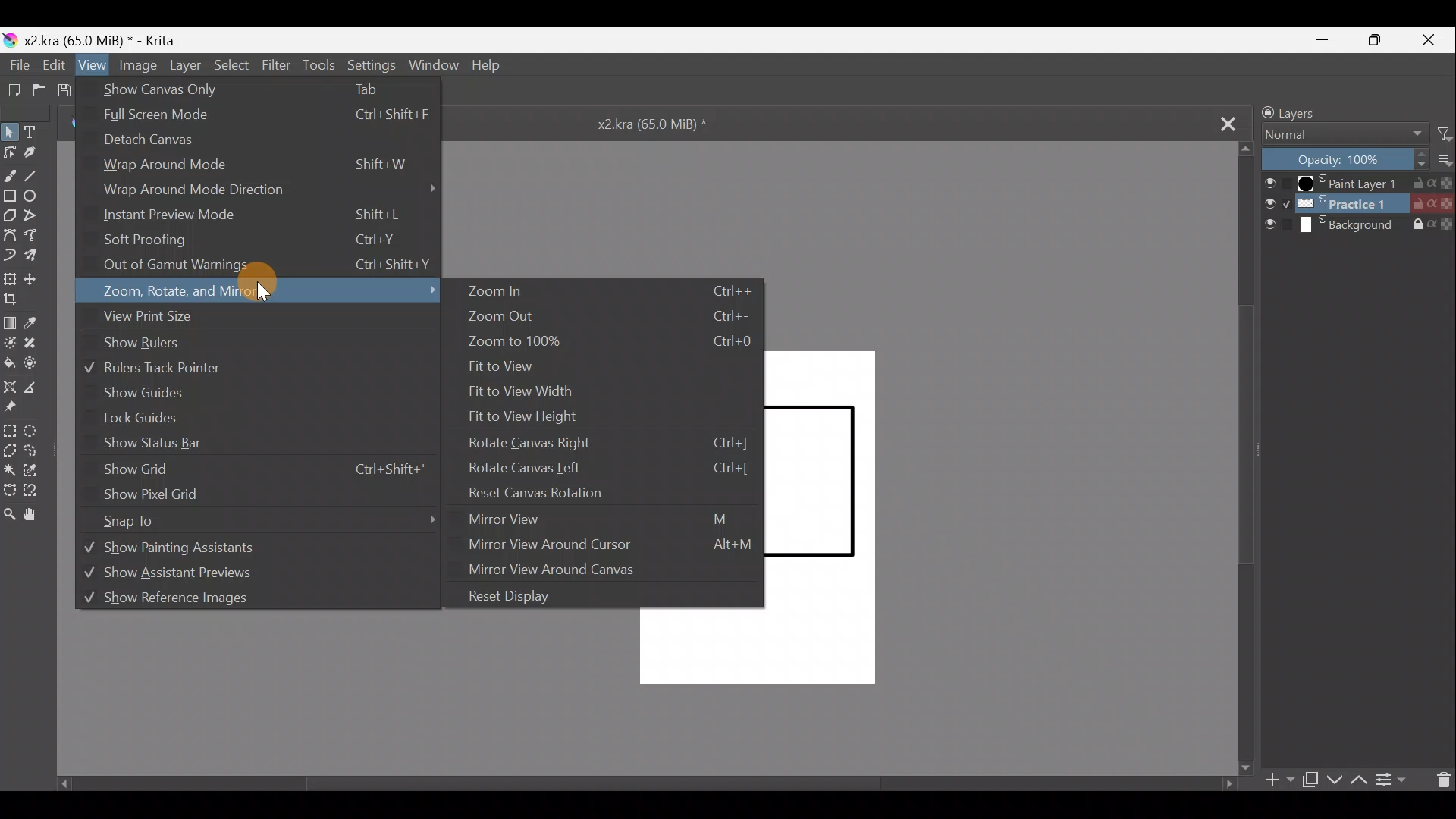 The width and height of the screenshot is (1456, 819). What do you see at coordinates (231, 66) in the screenshot?
I see `Select` at bounding box center [231, 66].